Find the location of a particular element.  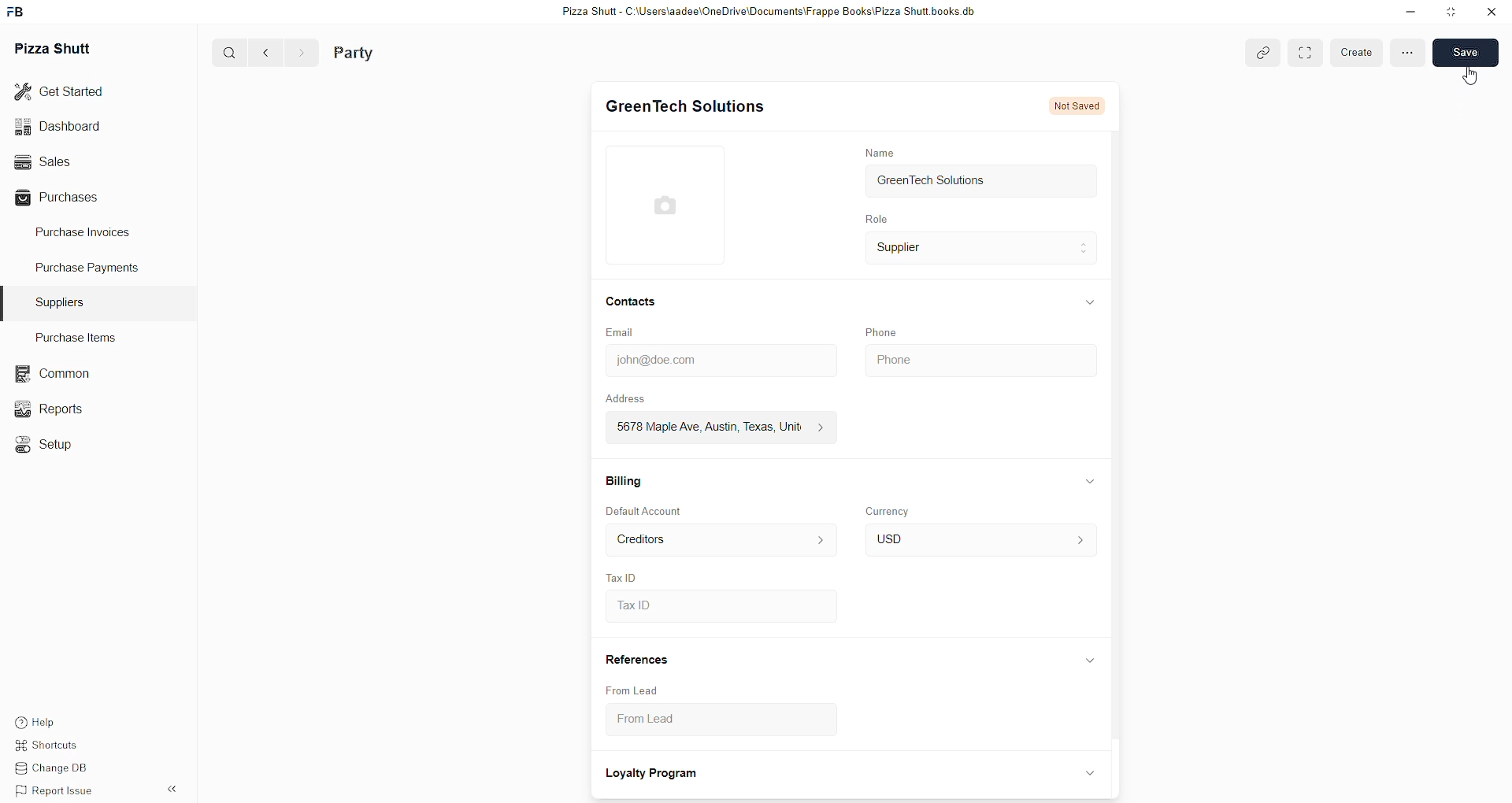

hide is located at coordinates (1088, 661).